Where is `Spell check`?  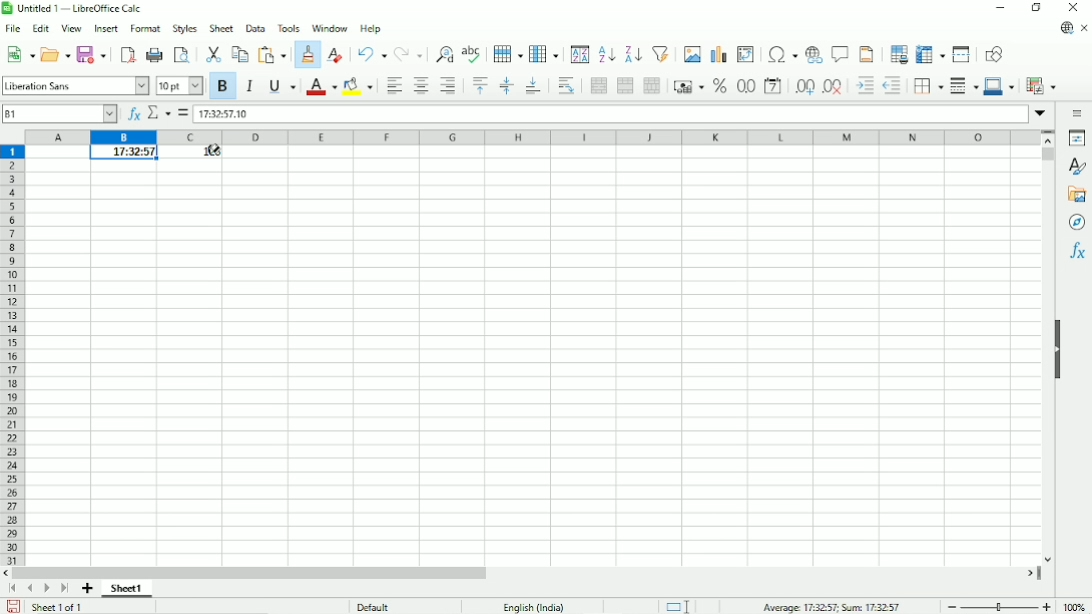 Spell check is located at coordinates (472, 53).